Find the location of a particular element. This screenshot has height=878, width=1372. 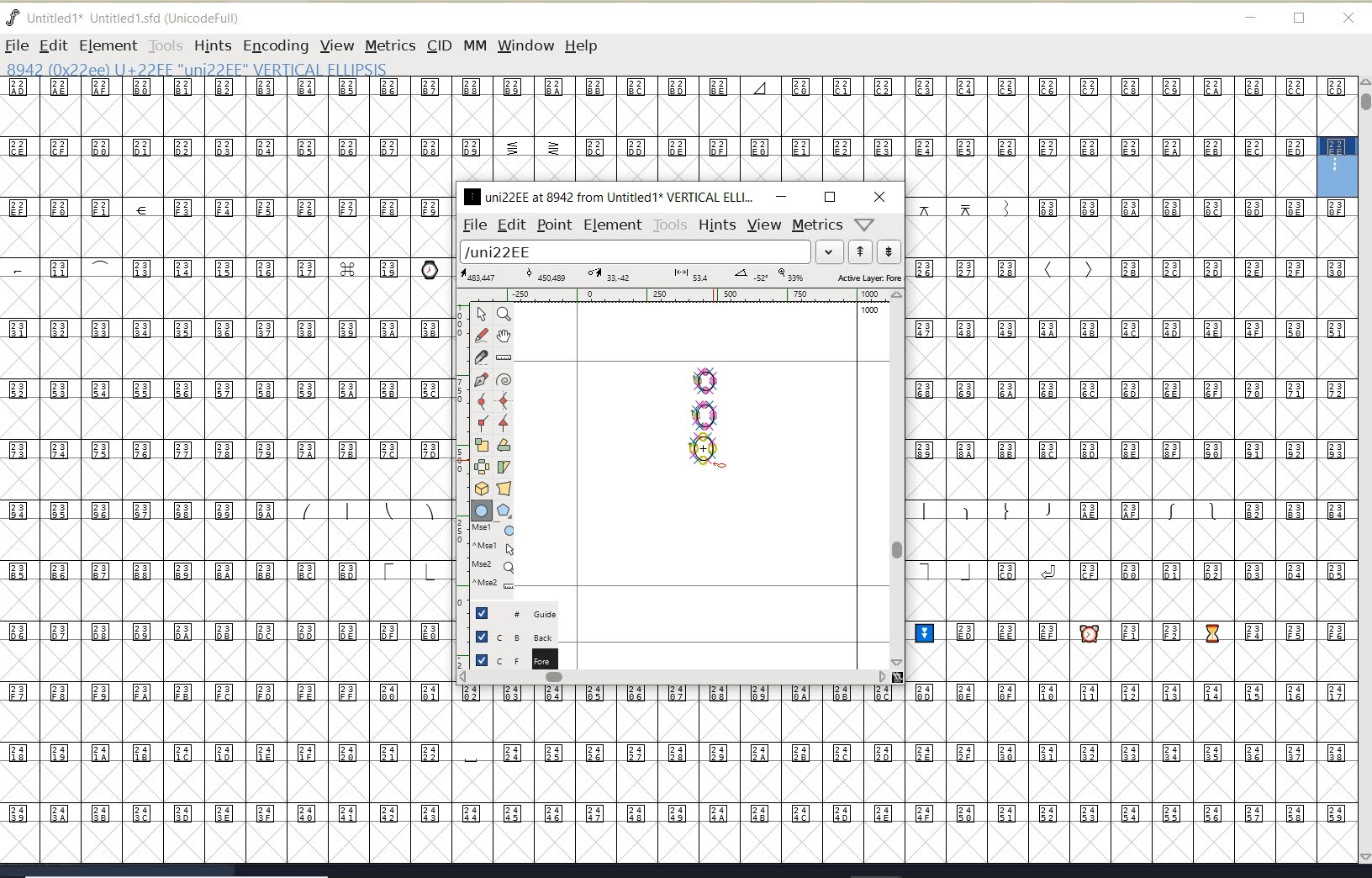

add a curve point is located at coordinates (485, 401).